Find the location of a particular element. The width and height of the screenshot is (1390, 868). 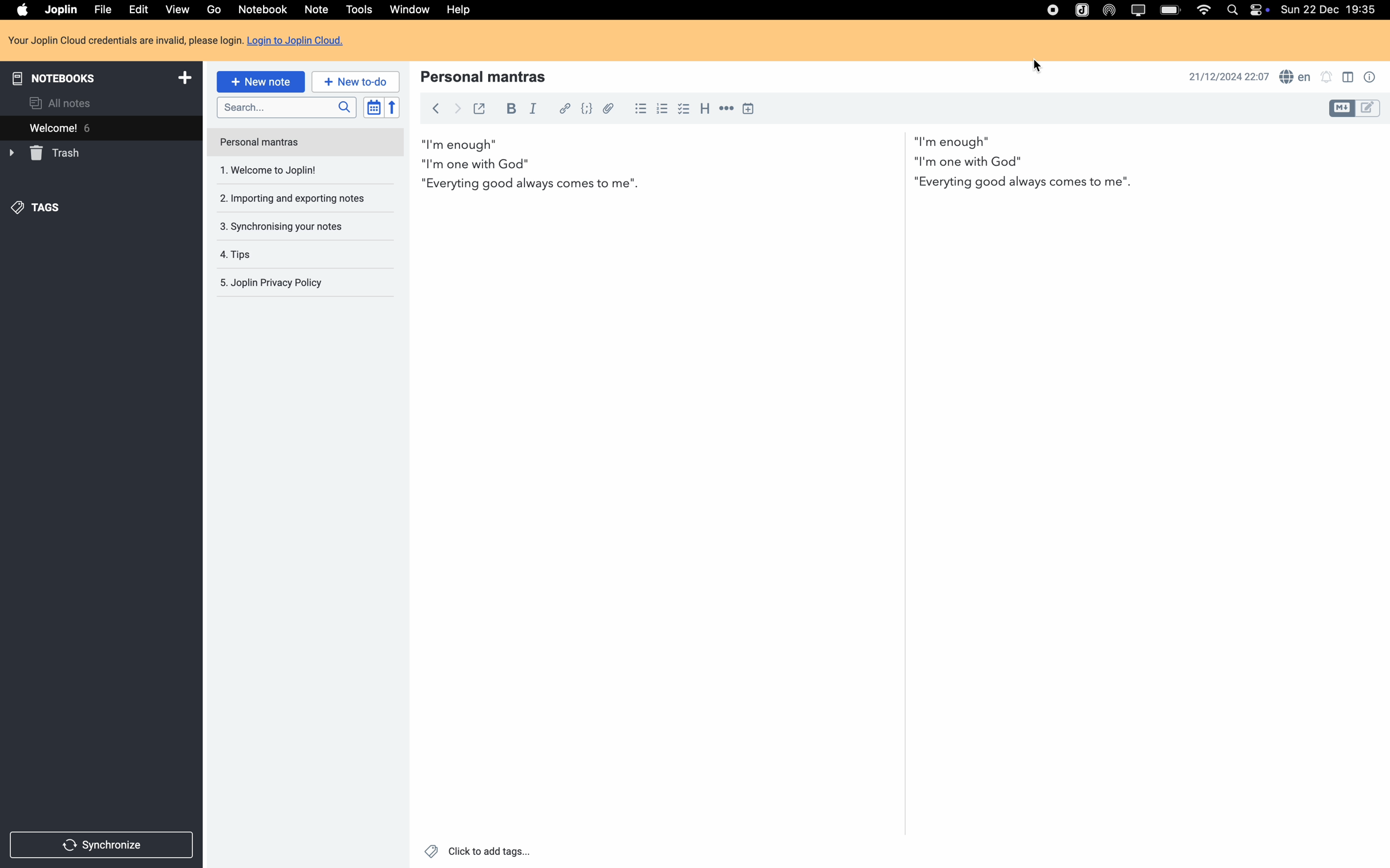

bold is located at coordinates (510, 108).